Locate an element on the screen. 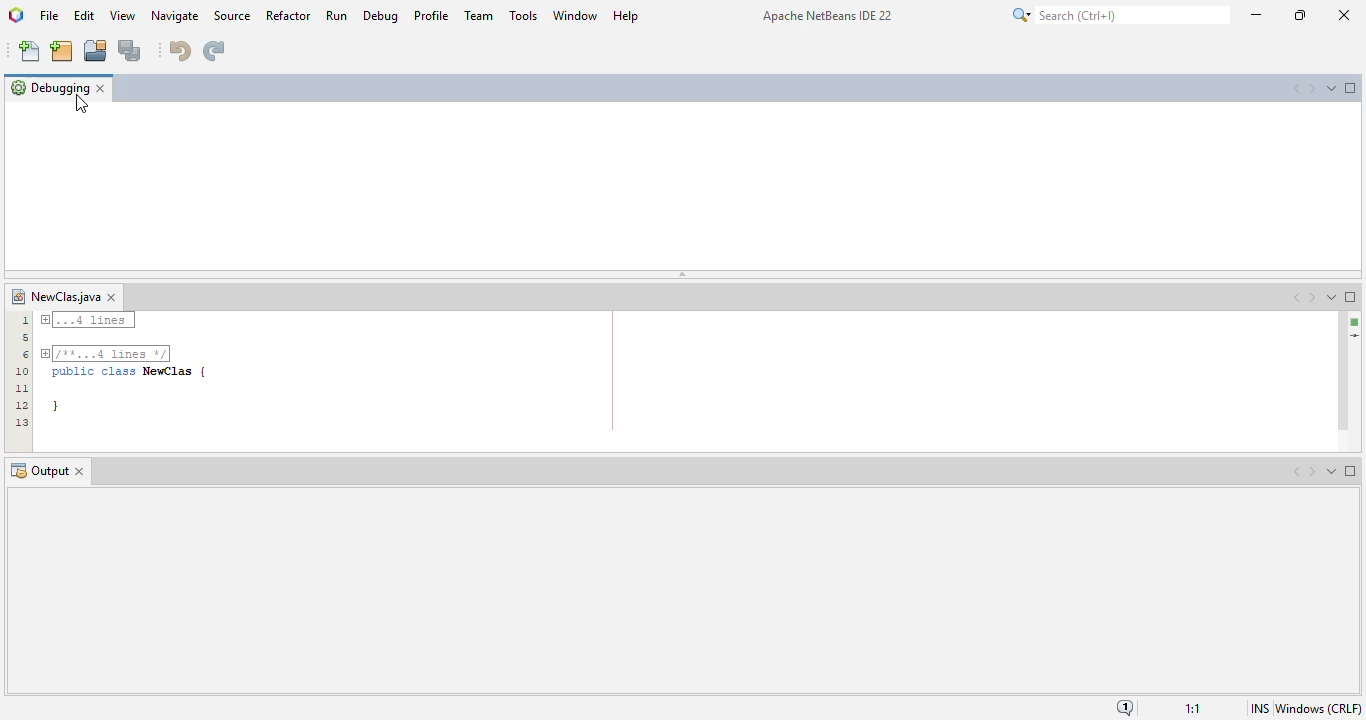 Image resolution: width=1366 pixels, height=720 pixels. maximize is located at coordinates (1300, 15).